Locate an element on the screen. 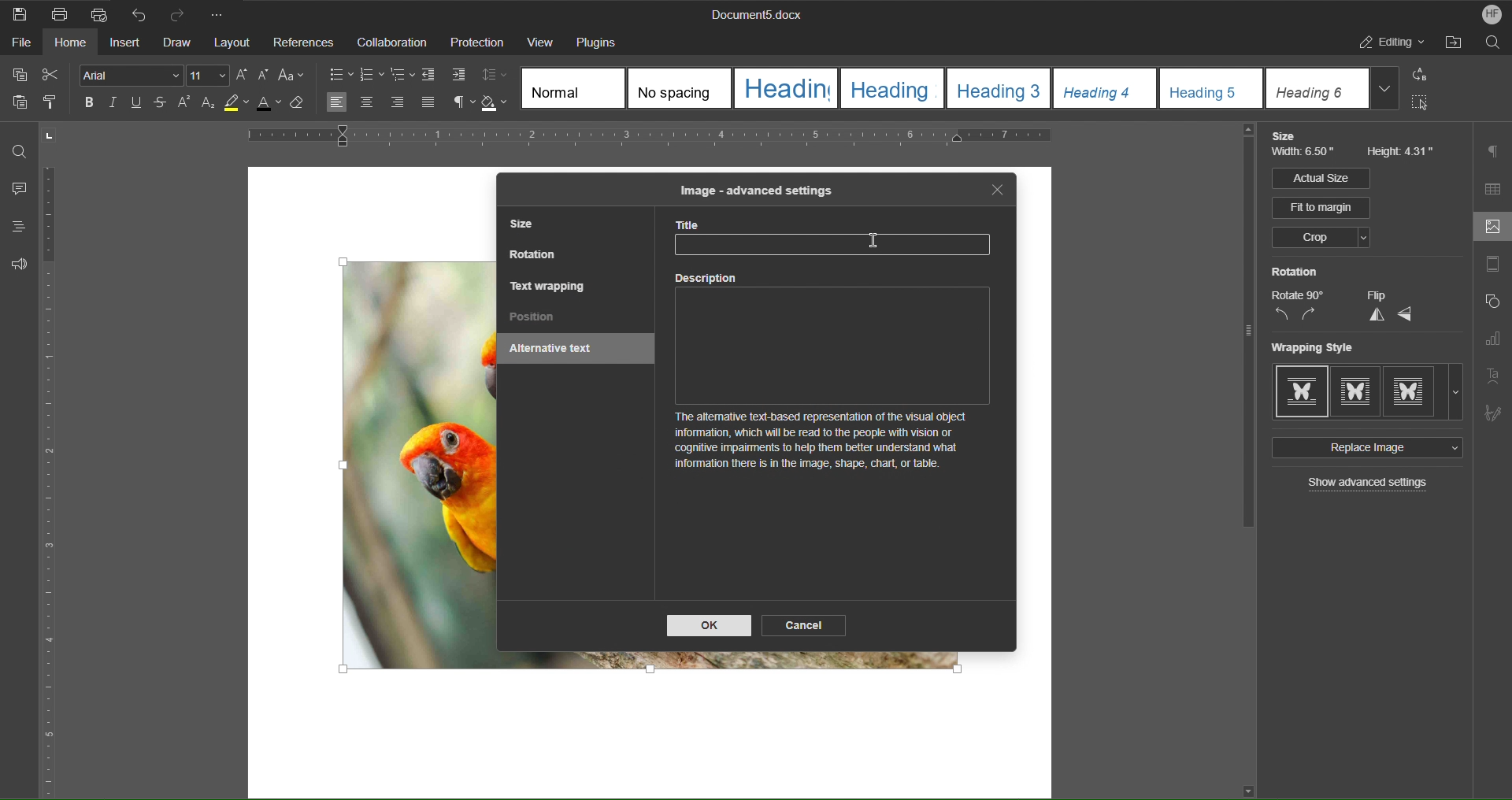 This screenshot has height=800, width=1512. References is located at coordinates (303, 43).